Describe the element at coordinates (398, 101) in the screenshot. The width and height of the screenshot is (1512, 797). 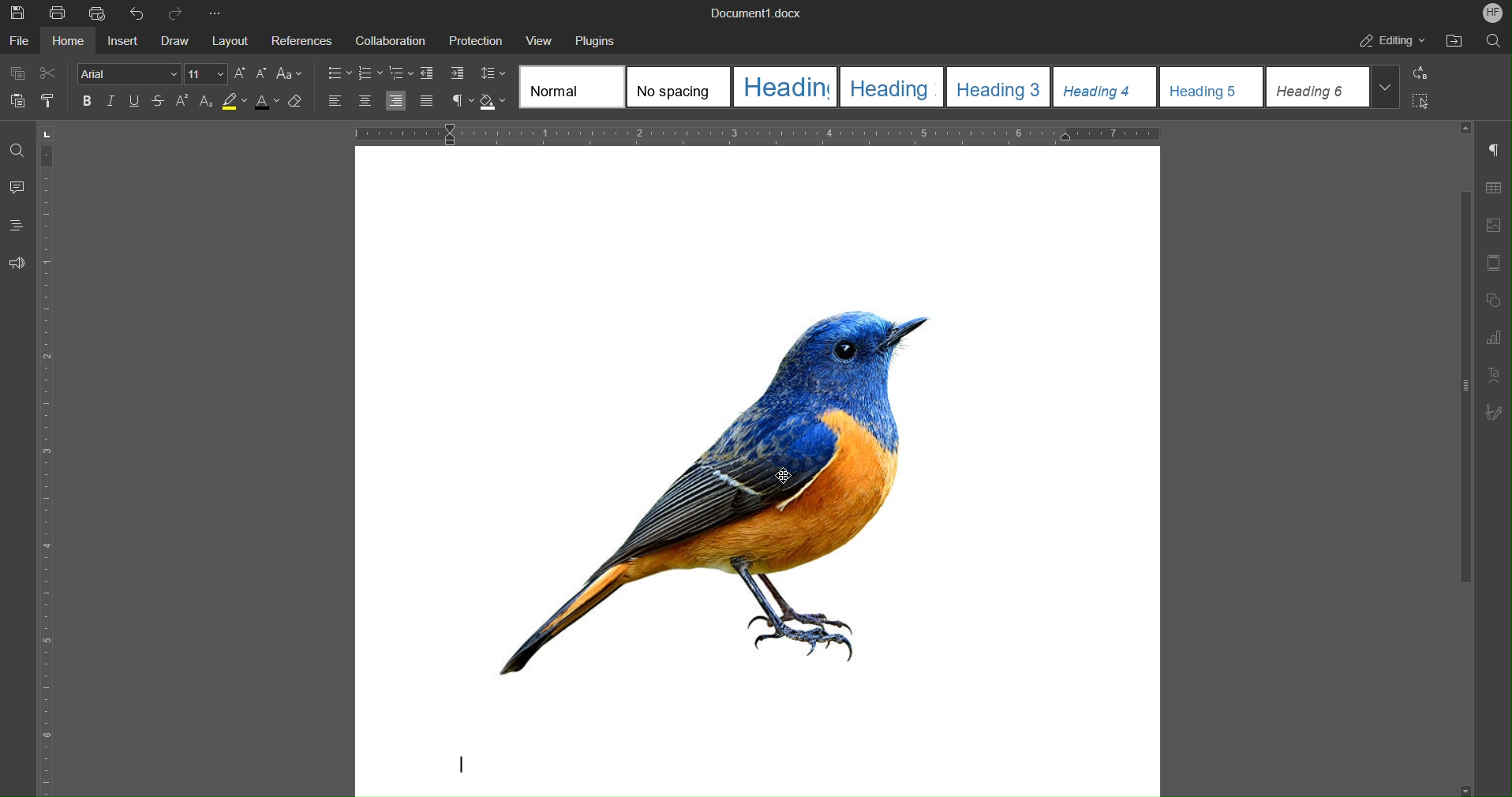
I see `Align Right` at that location.